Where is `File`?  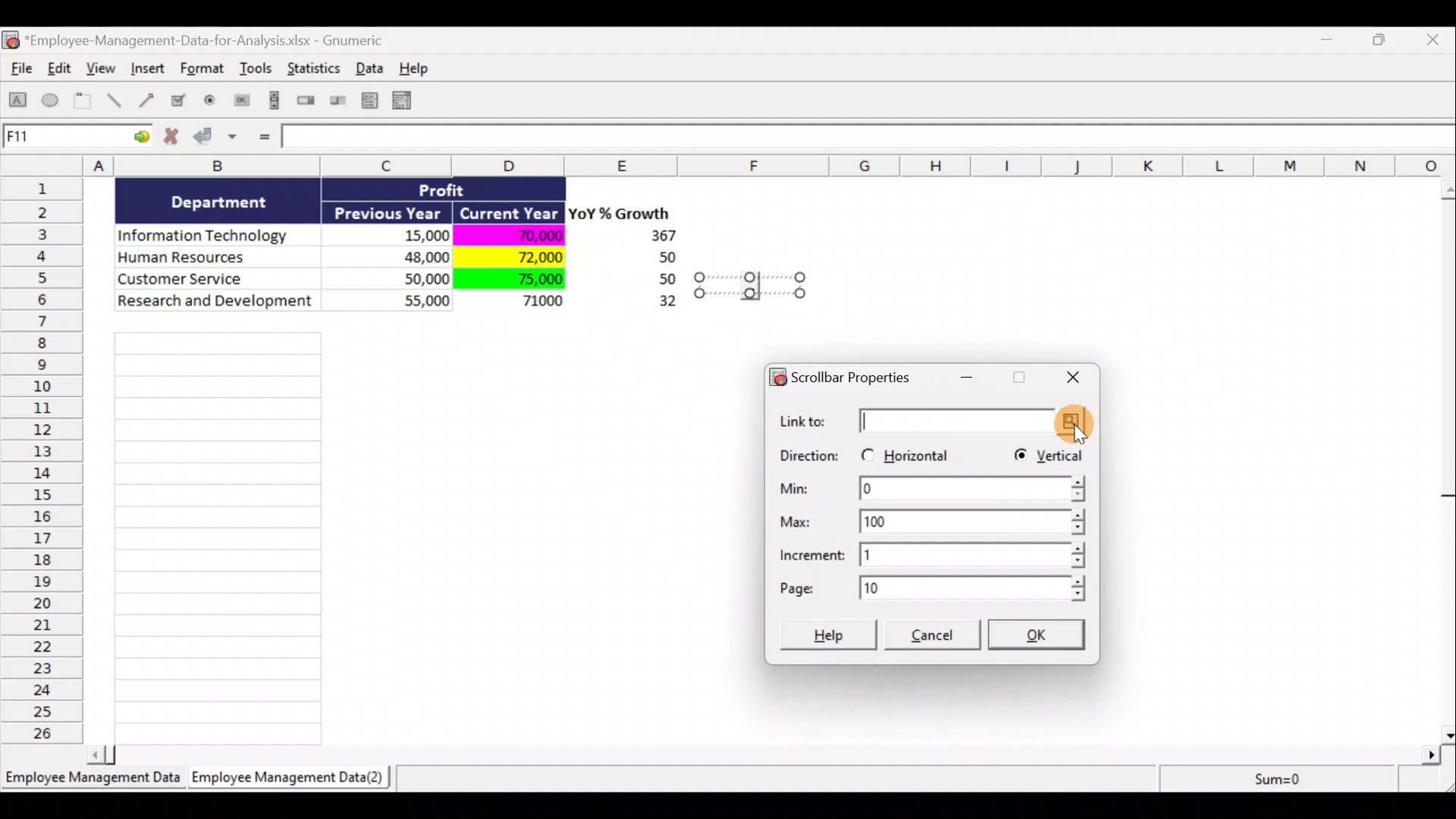
File is located at coordinates (18, 71).